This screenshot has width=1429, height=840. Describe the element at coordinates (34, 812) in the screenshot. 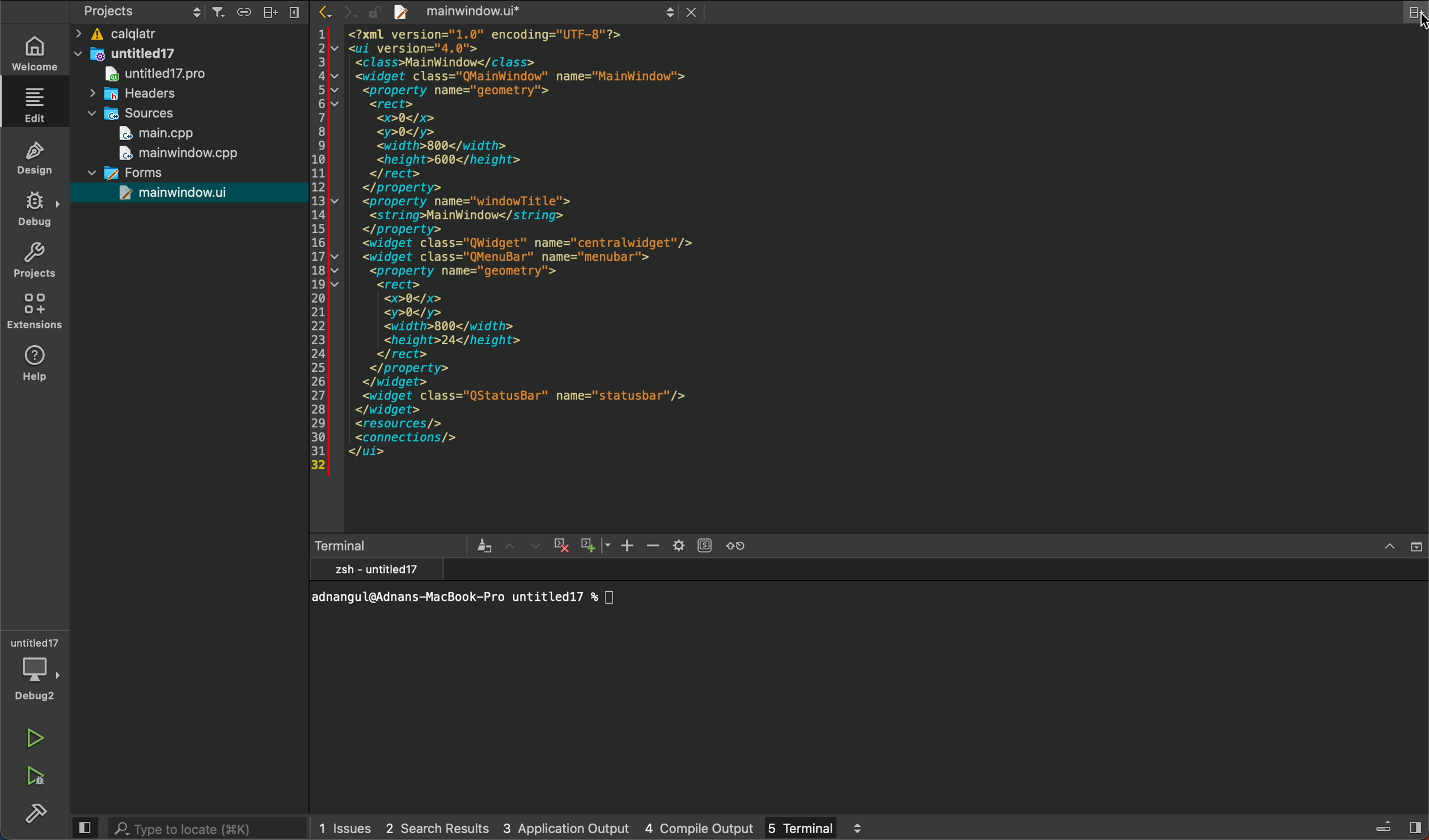

I see `build` at that location.